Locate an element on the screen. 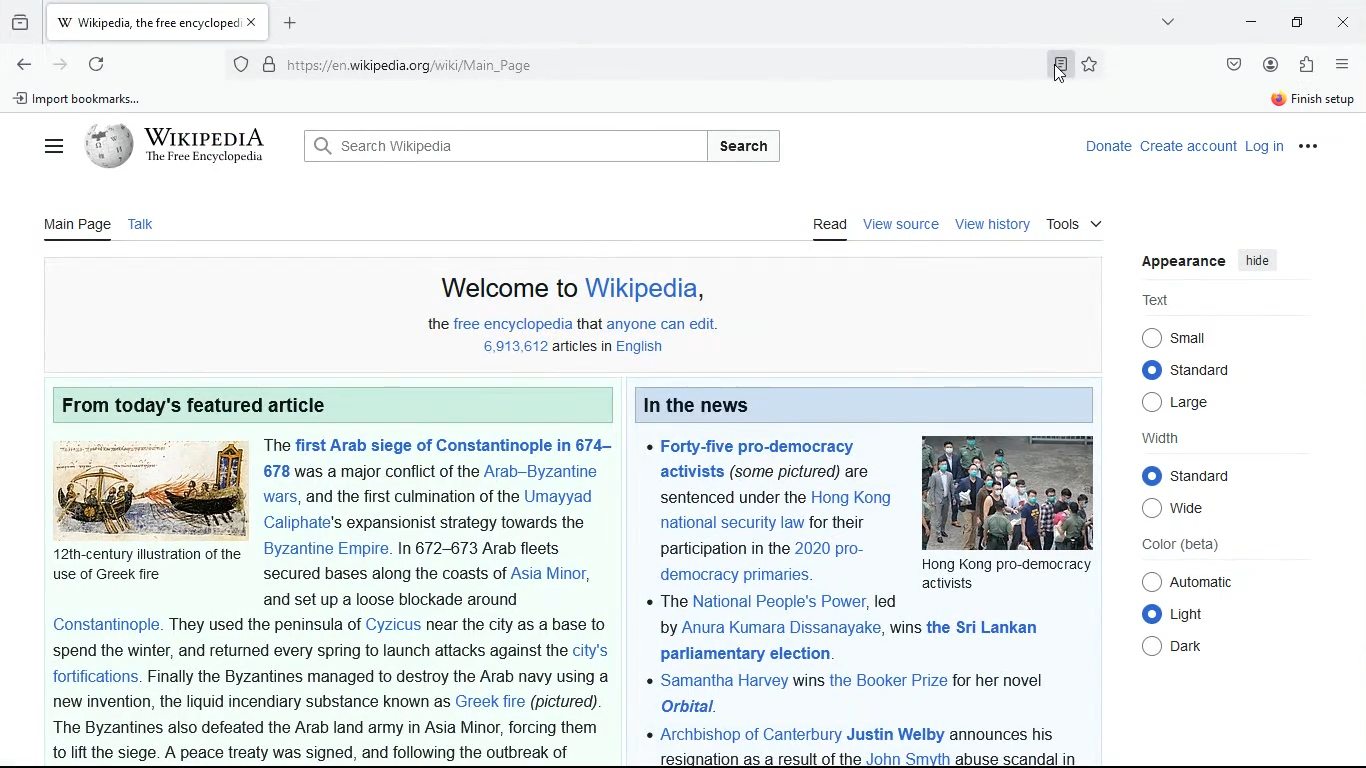 This screenshot has width=1366, height=768. read is located at coordinates (827, 229).